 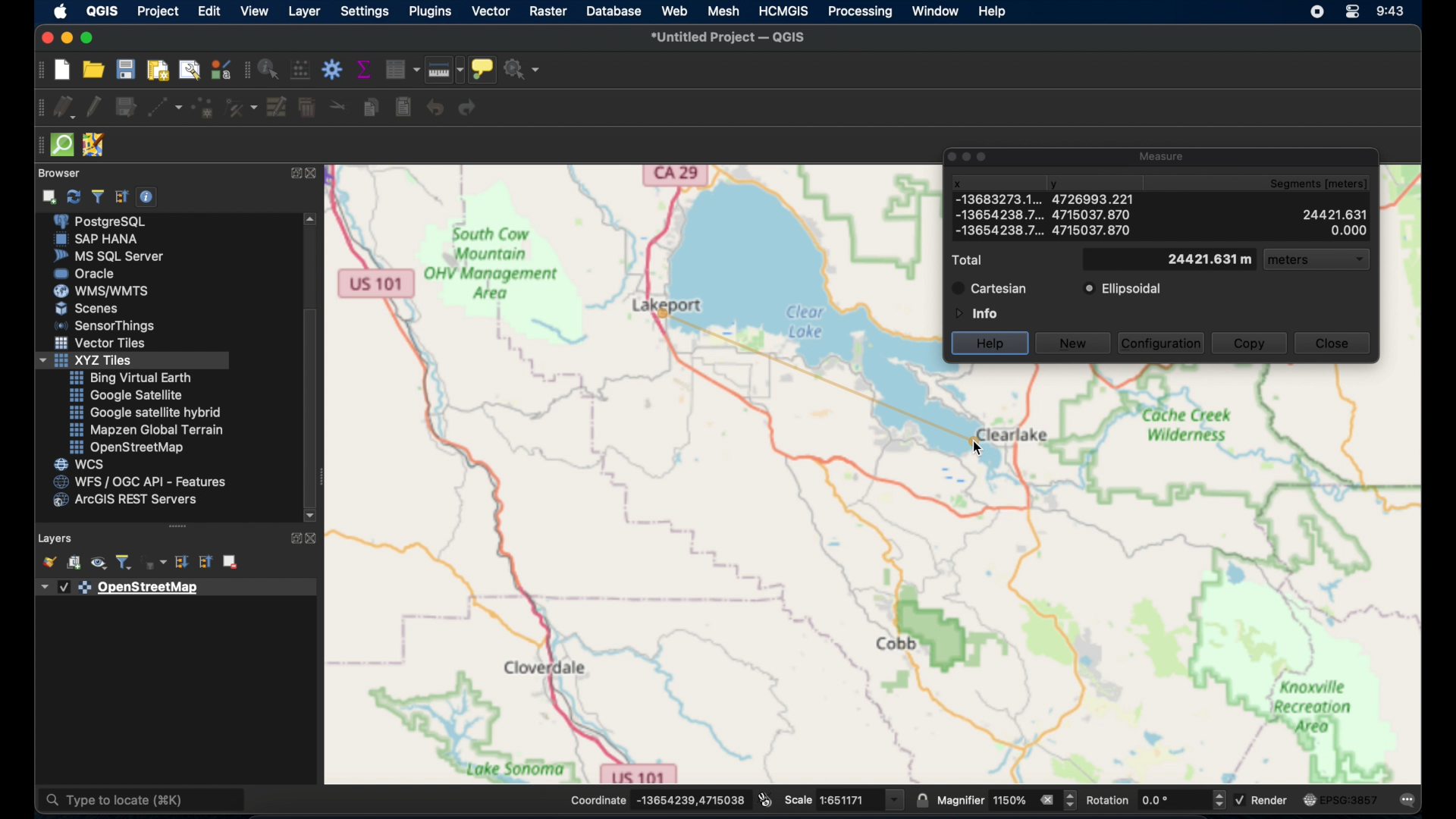 I want to click on 24421.631m, so click(x=1209, y=260).